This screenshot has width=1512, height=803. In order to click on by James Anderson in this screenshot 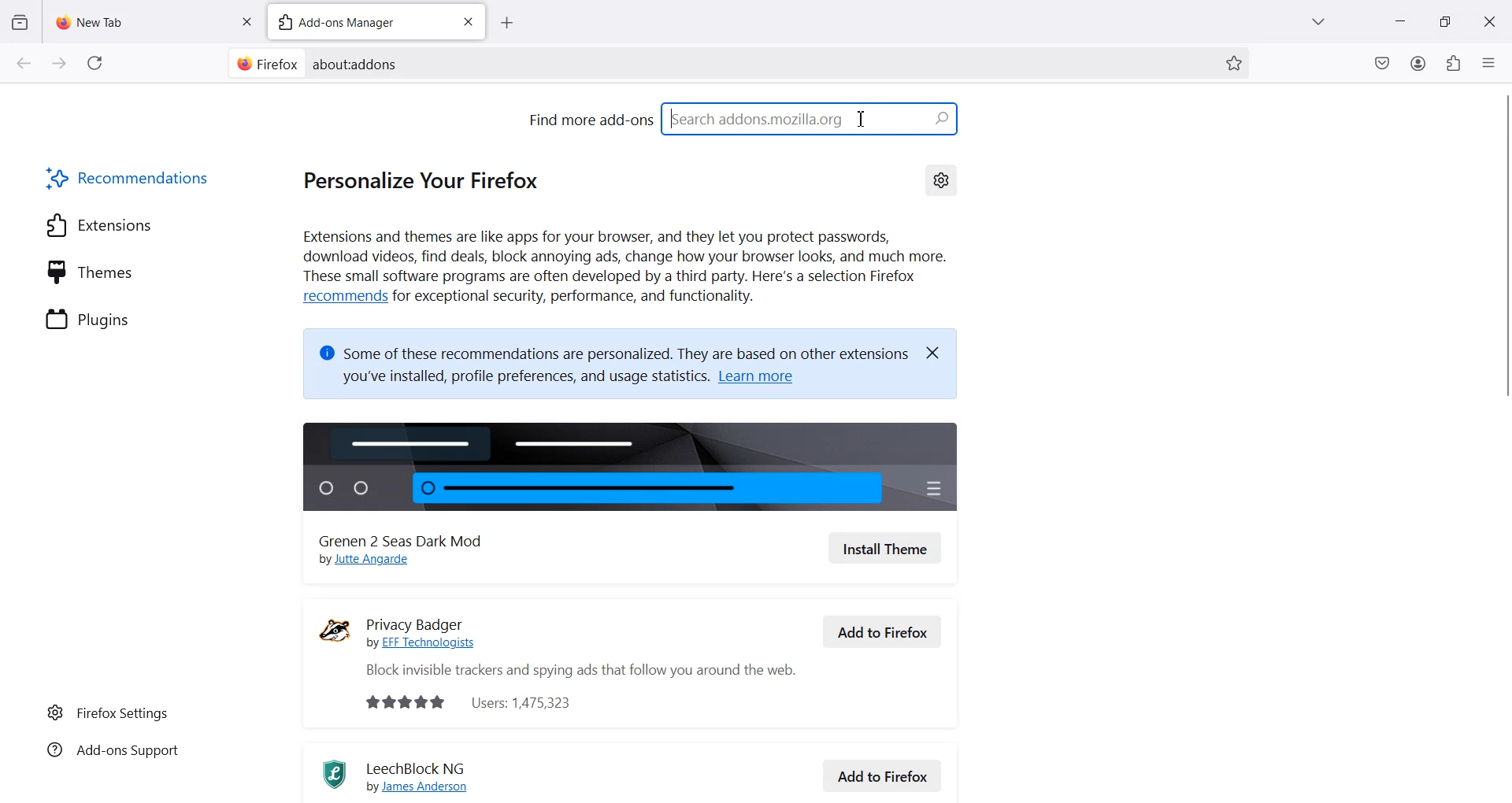, I will do `click(426, 787)`.